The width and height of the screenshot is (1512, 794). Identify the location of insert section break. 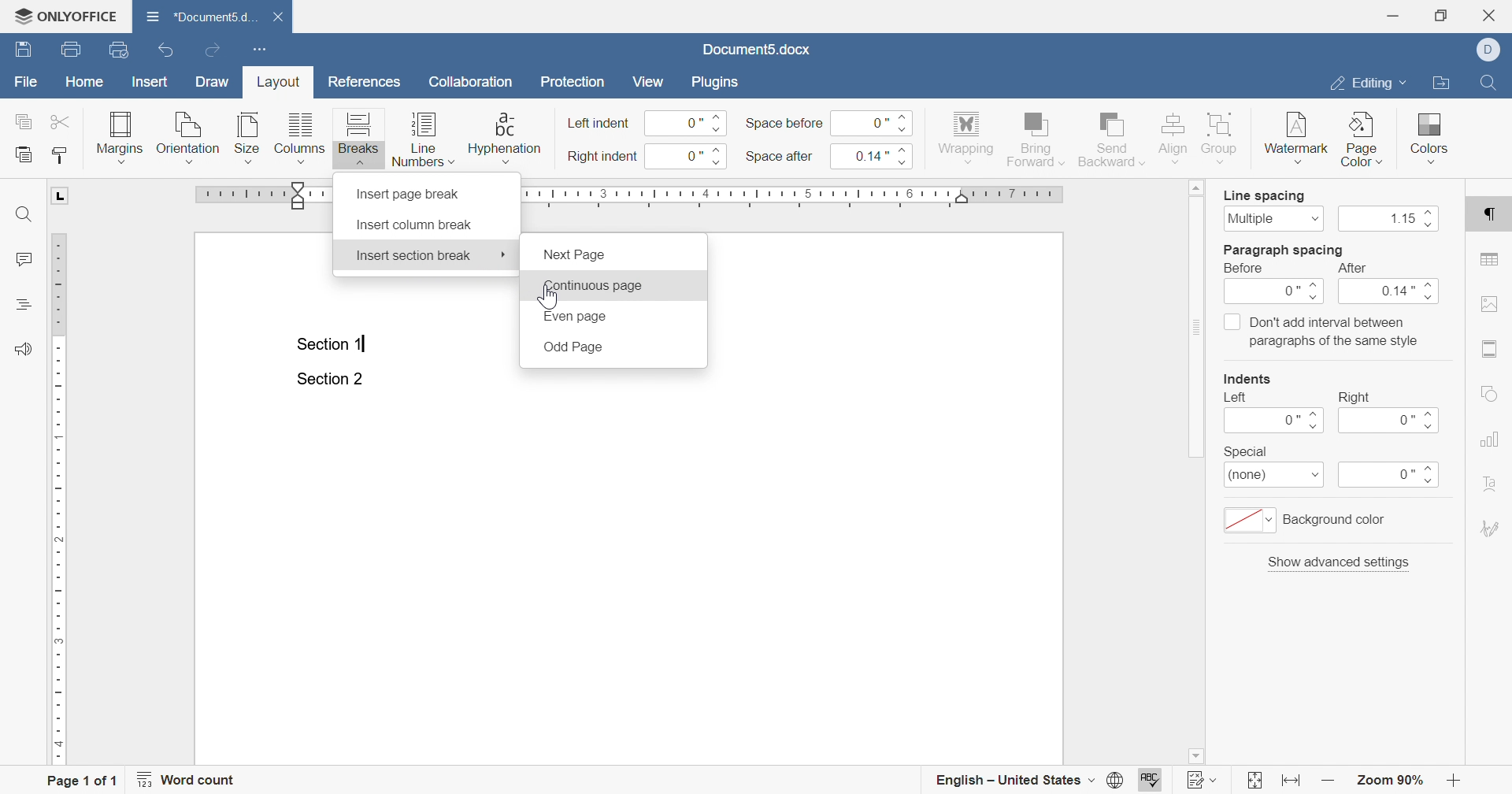
(413, 255).